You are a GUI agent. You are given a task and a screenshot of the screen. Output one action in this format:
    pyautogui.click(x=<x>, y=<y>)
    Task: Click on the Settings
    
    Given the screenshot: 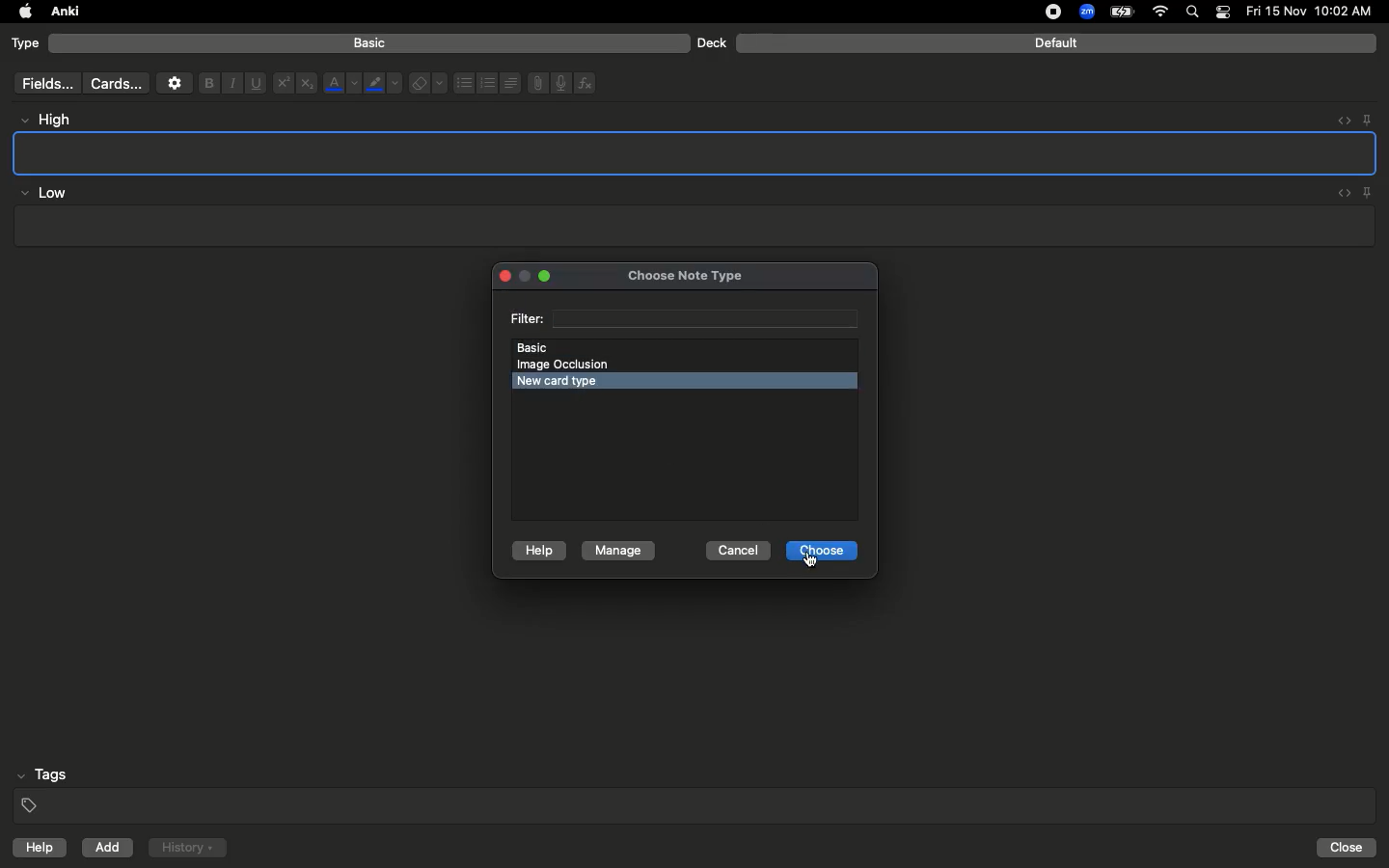 What is the action you would take?
    pyautogui.click(x=175, y=83)
    